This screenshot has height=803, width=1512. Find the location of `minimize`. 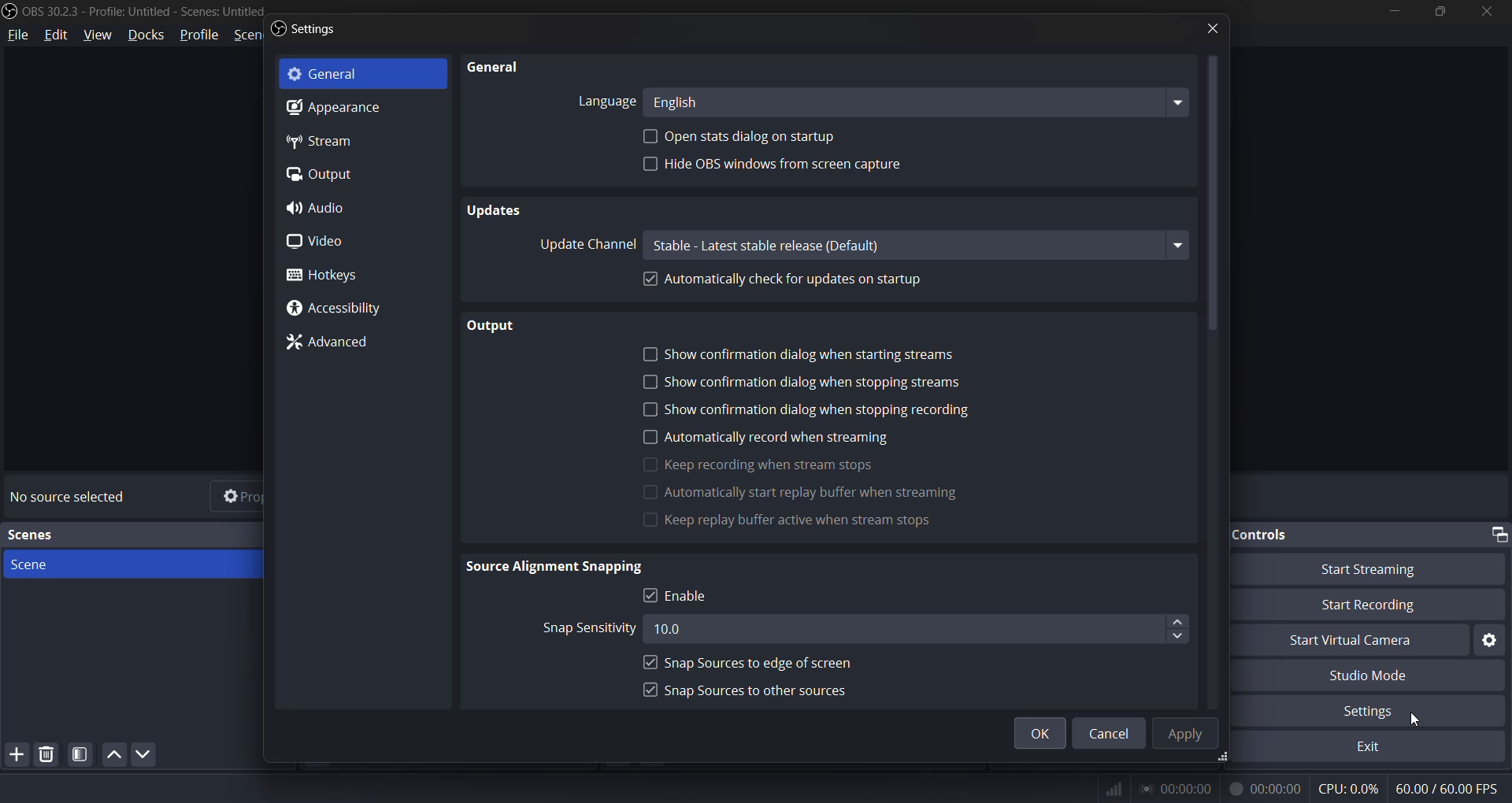

minimize is located at coordinates (1392, 13).